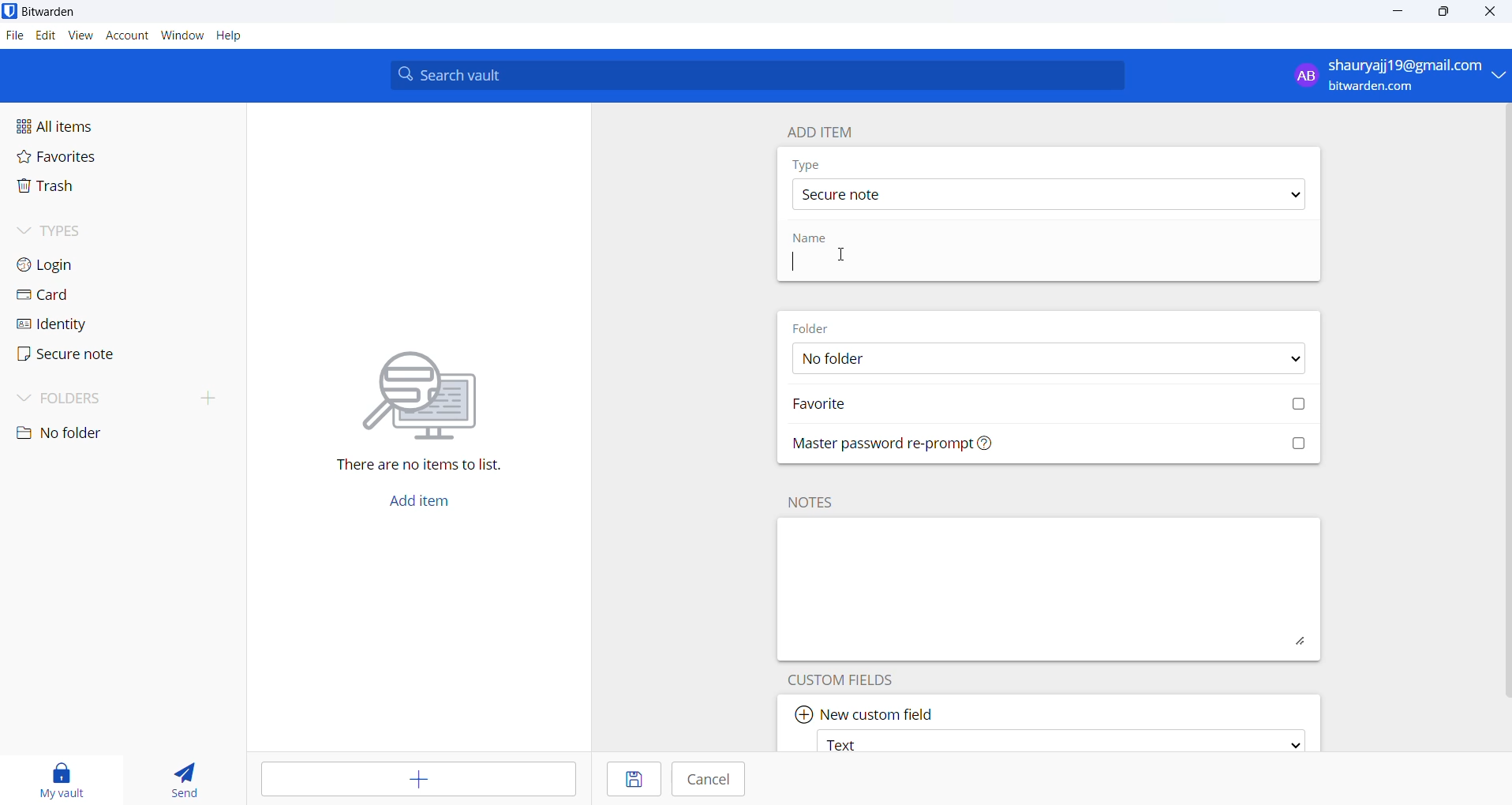  Describe the element at coordinates (80, 263) in the screenshot. I see `login` at that location.